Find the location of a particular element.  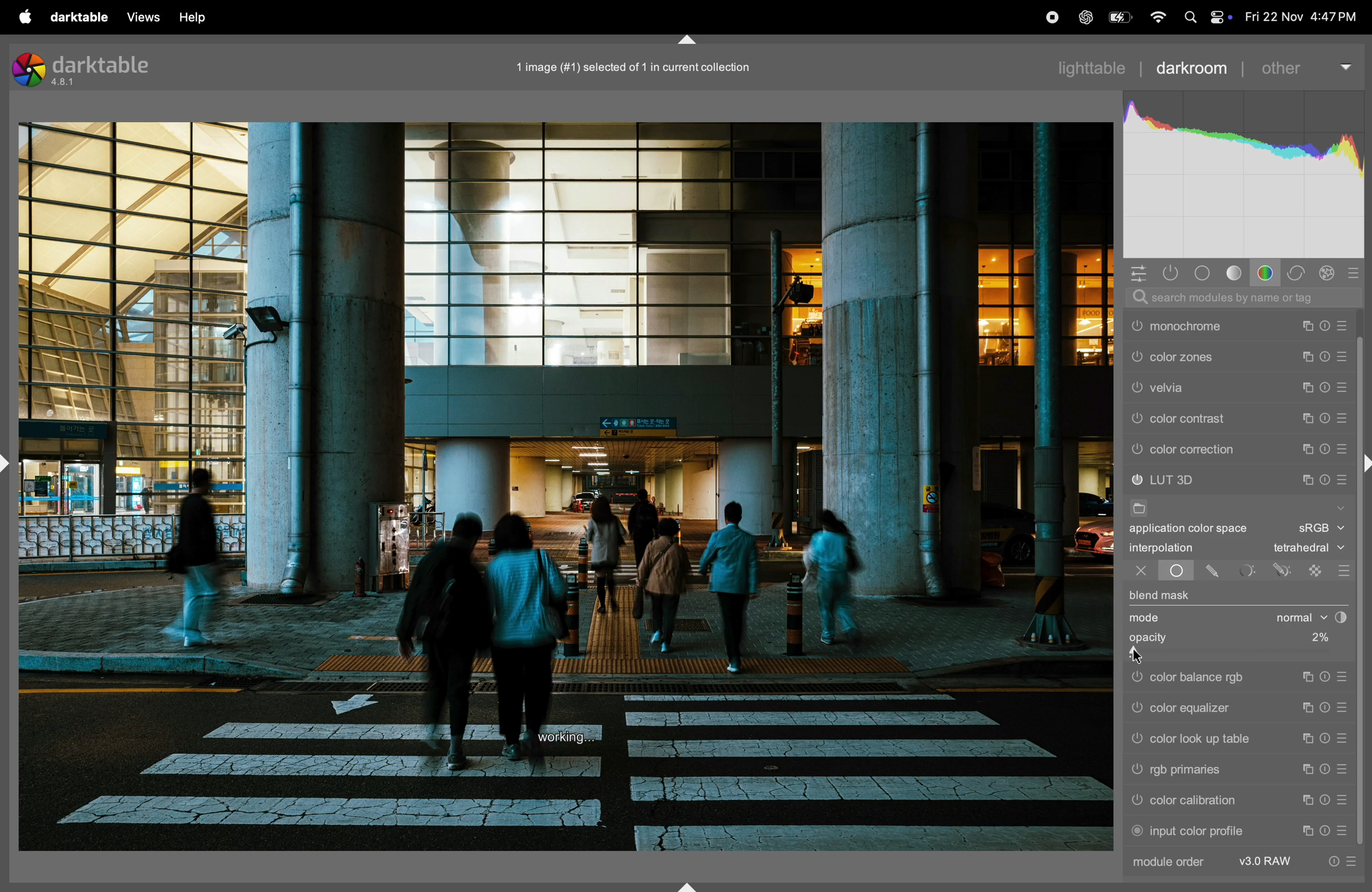

multiple instance actions is located at coordinates (1305, 738).